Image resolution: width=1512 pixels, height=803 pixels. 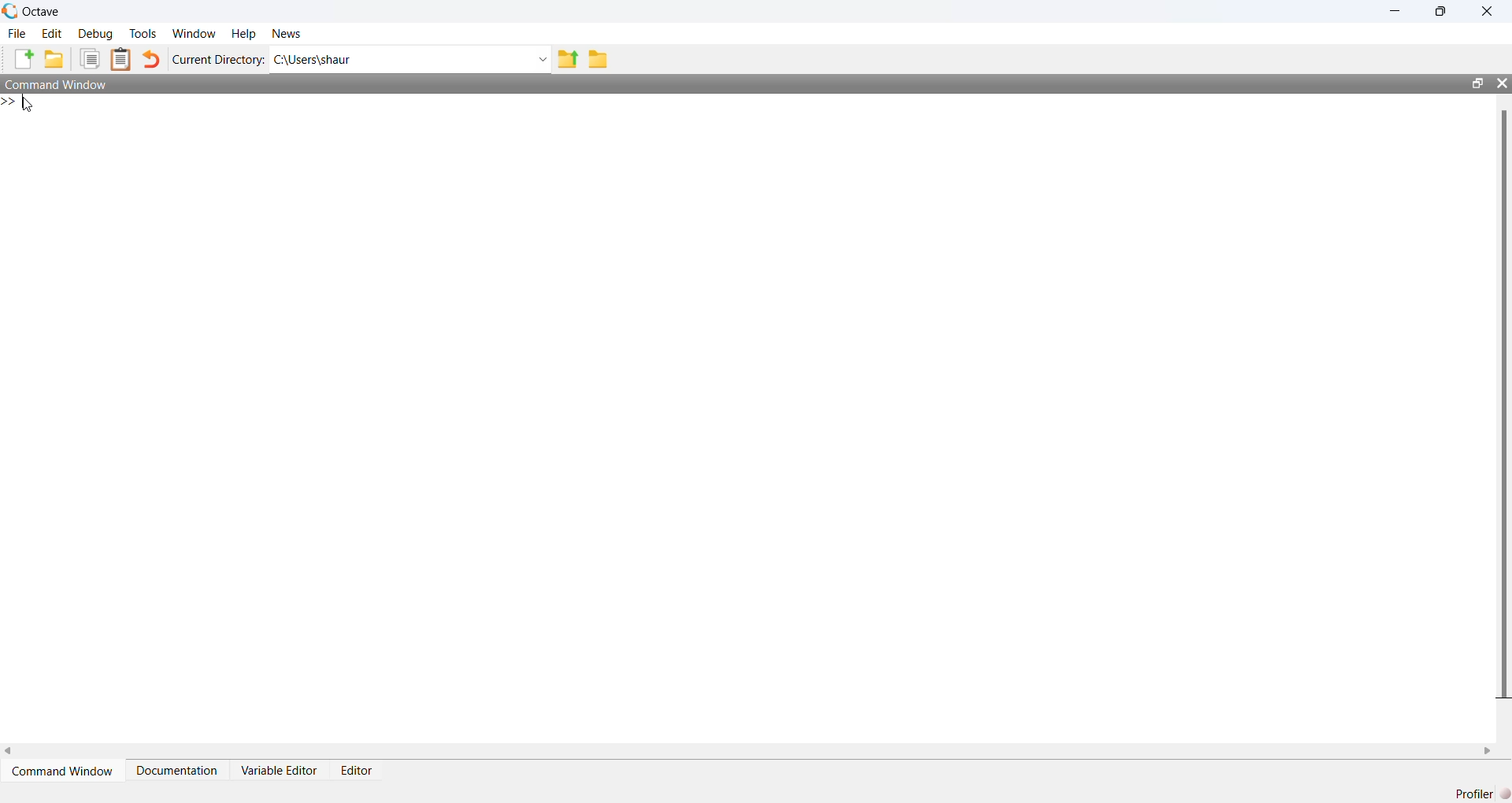 What do you see at coordinates (57, 83) in the screenshot?
I see `Command Window` at bounding box center [57, 83].